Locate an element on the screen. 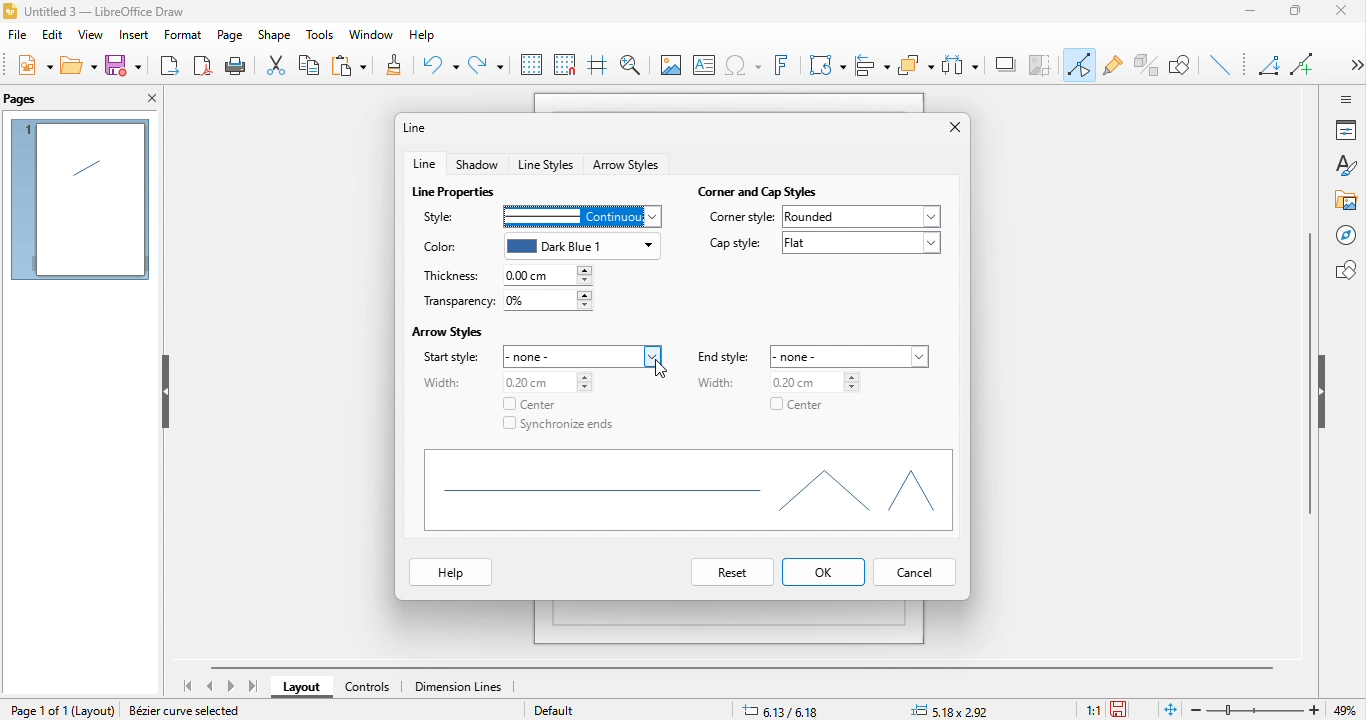 Image resolution: width=1366 pixels, height=720 pixels. undo is located at coordinates (441, 67).